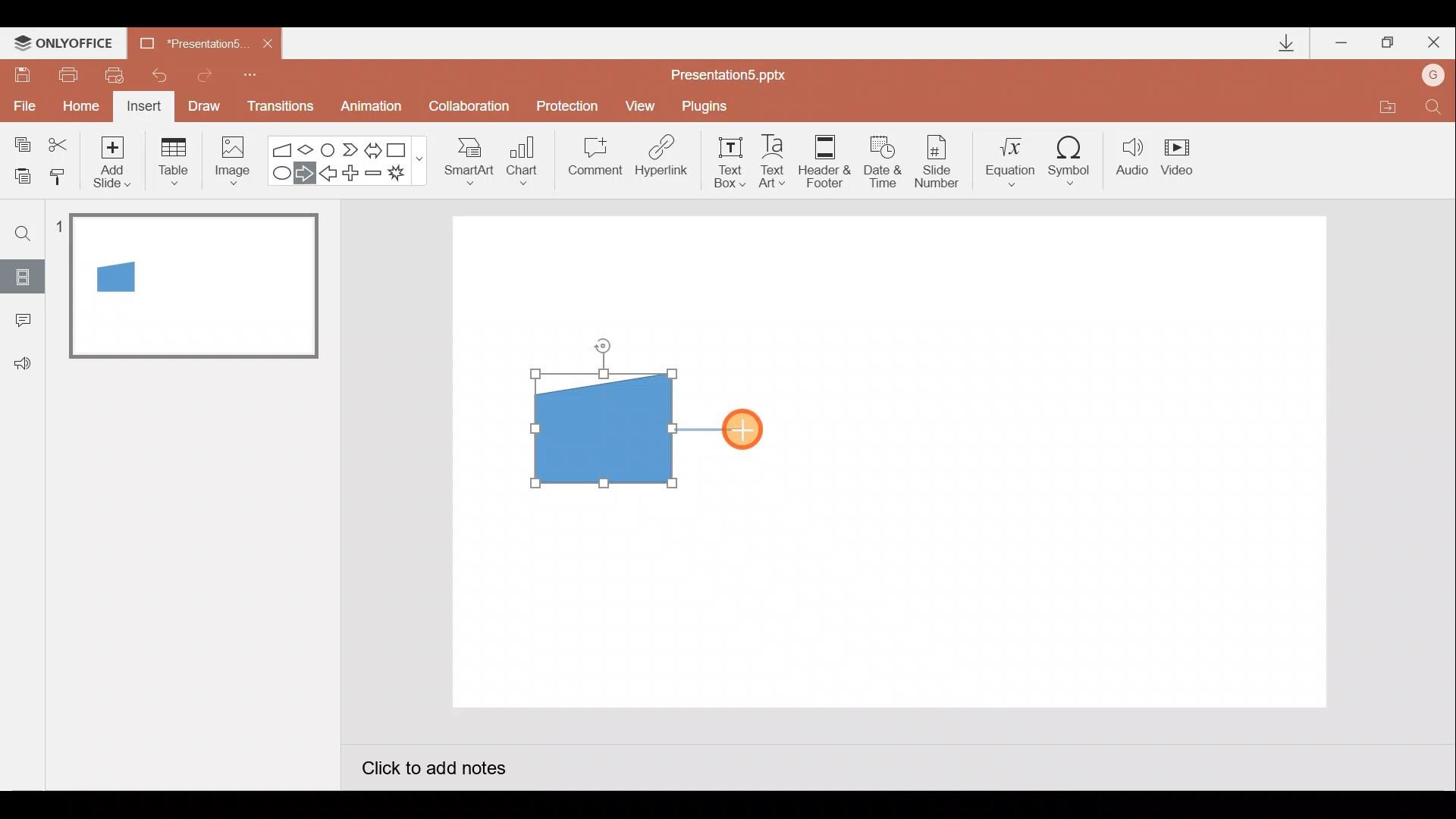 The width and height of the screenshot is (1456, 819). What do you see at coordinates (205, 105) in the screenshot?
I see `Draw` at bounding box center [205, 105].